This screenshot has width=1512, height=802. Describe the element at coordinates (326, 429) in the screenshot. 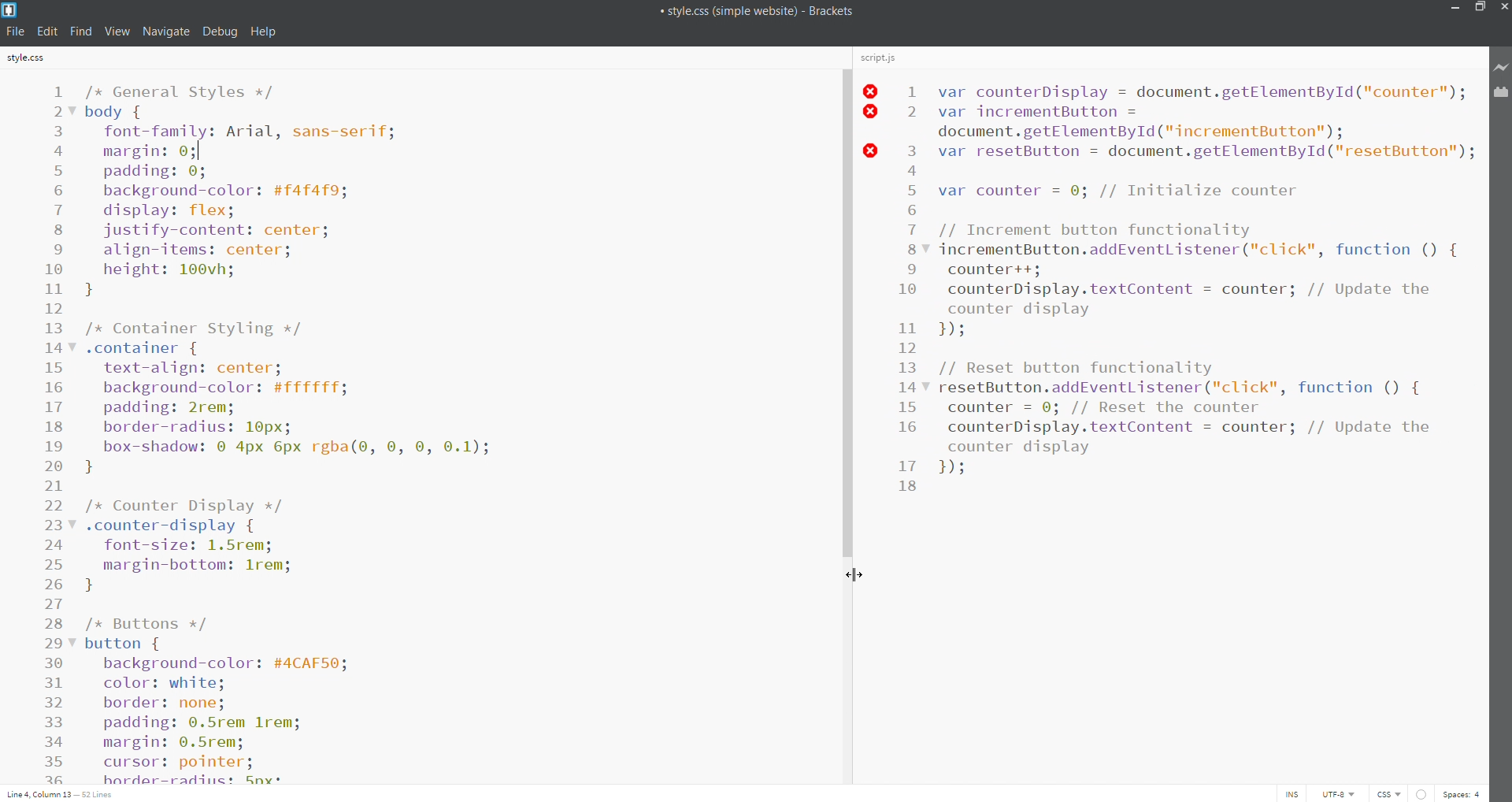

I see `style.css editor` at that location.